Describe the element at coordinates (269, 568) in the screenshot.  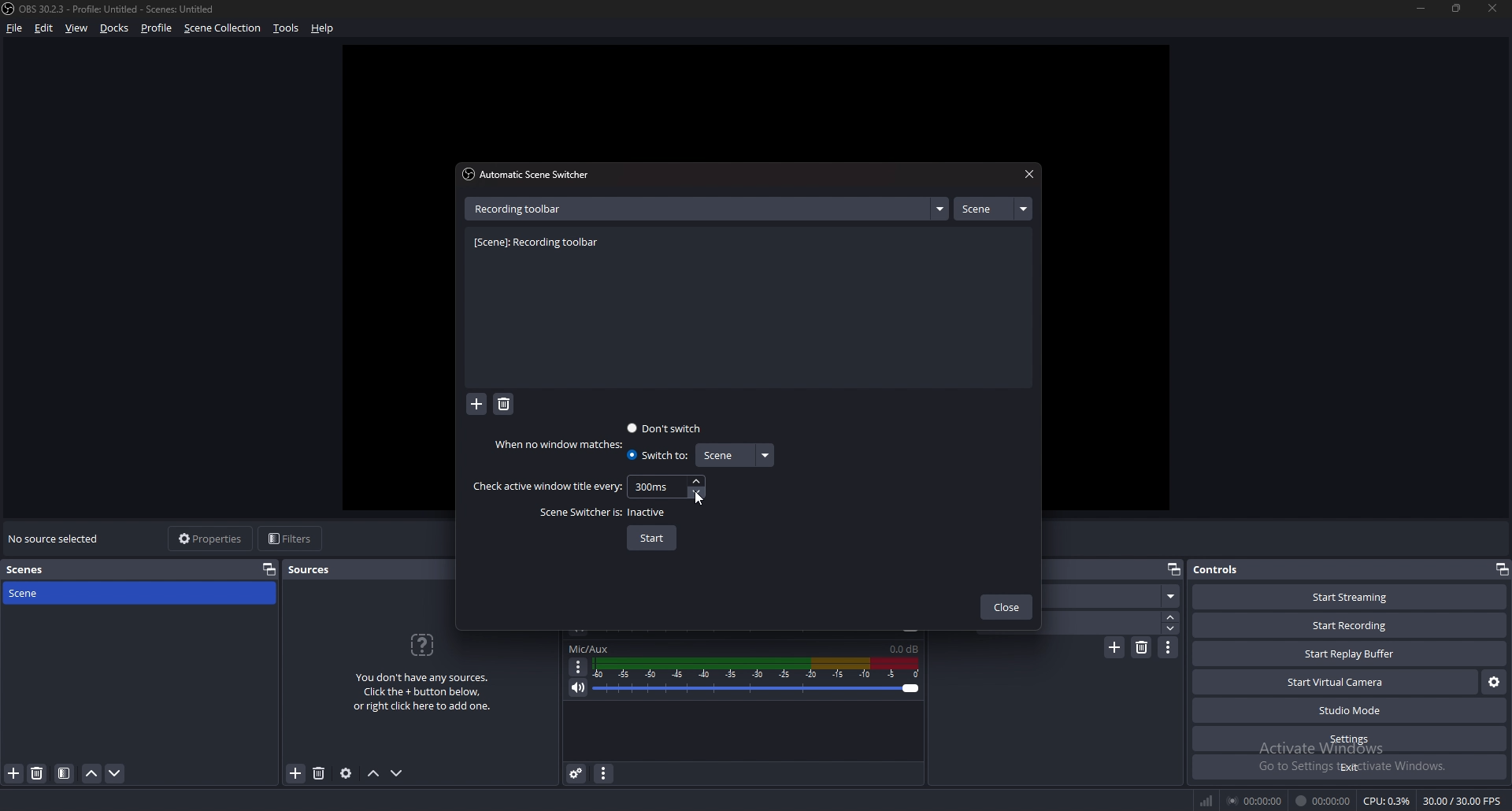
I see `pop out` at that location.